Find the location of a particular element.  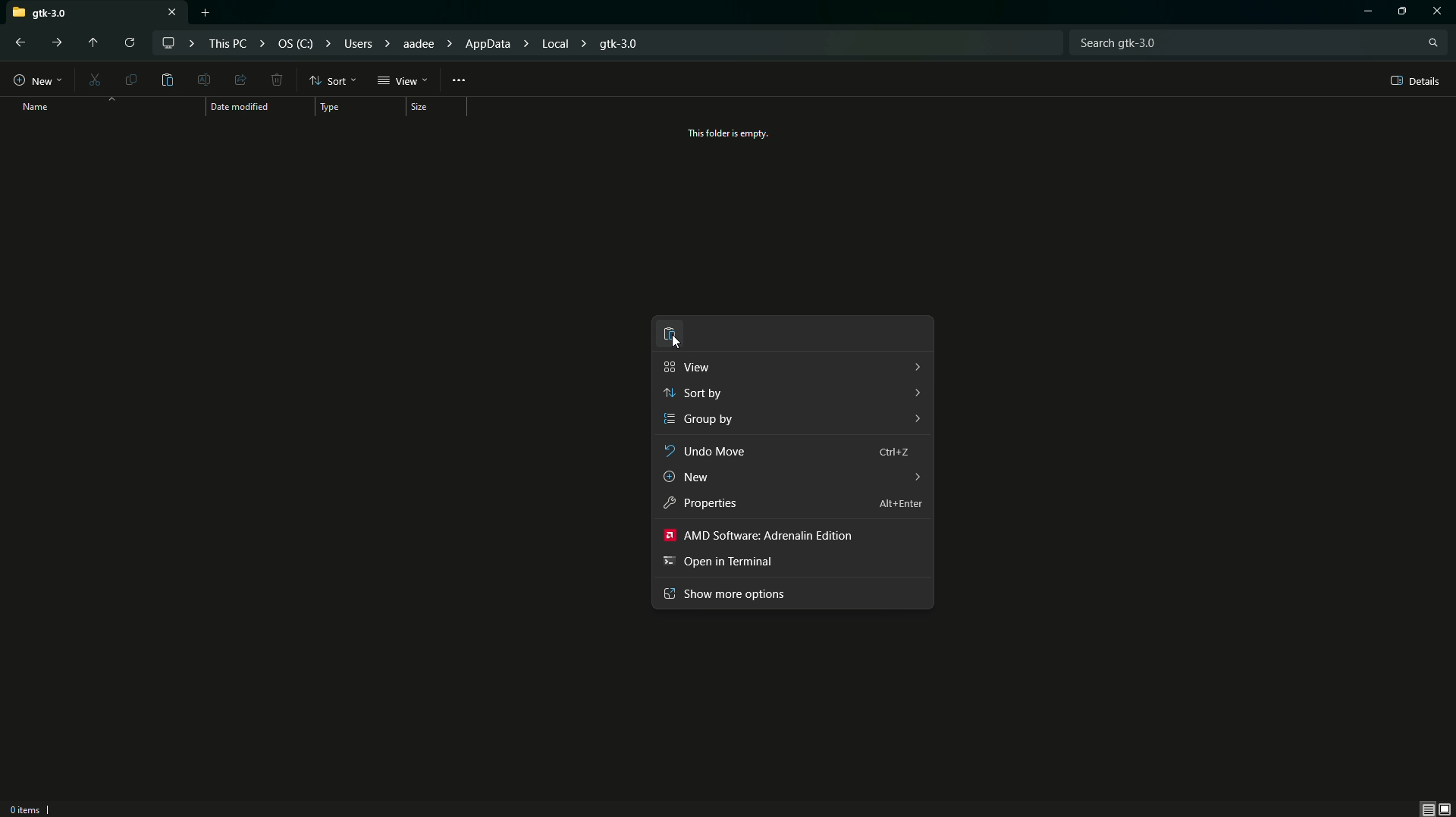

Details is located at coordinates (1412, 81).